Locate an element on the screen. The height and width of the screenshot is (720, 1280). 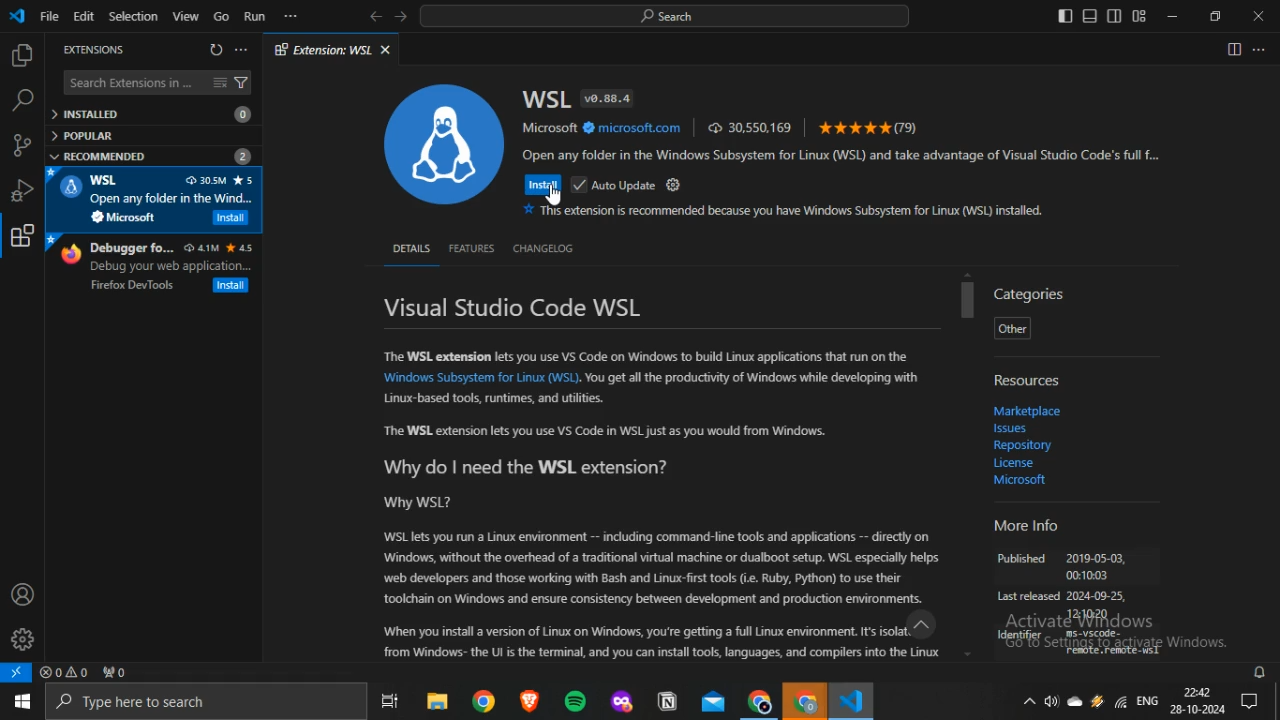
Microsoft is located at coordinates (123, 217).